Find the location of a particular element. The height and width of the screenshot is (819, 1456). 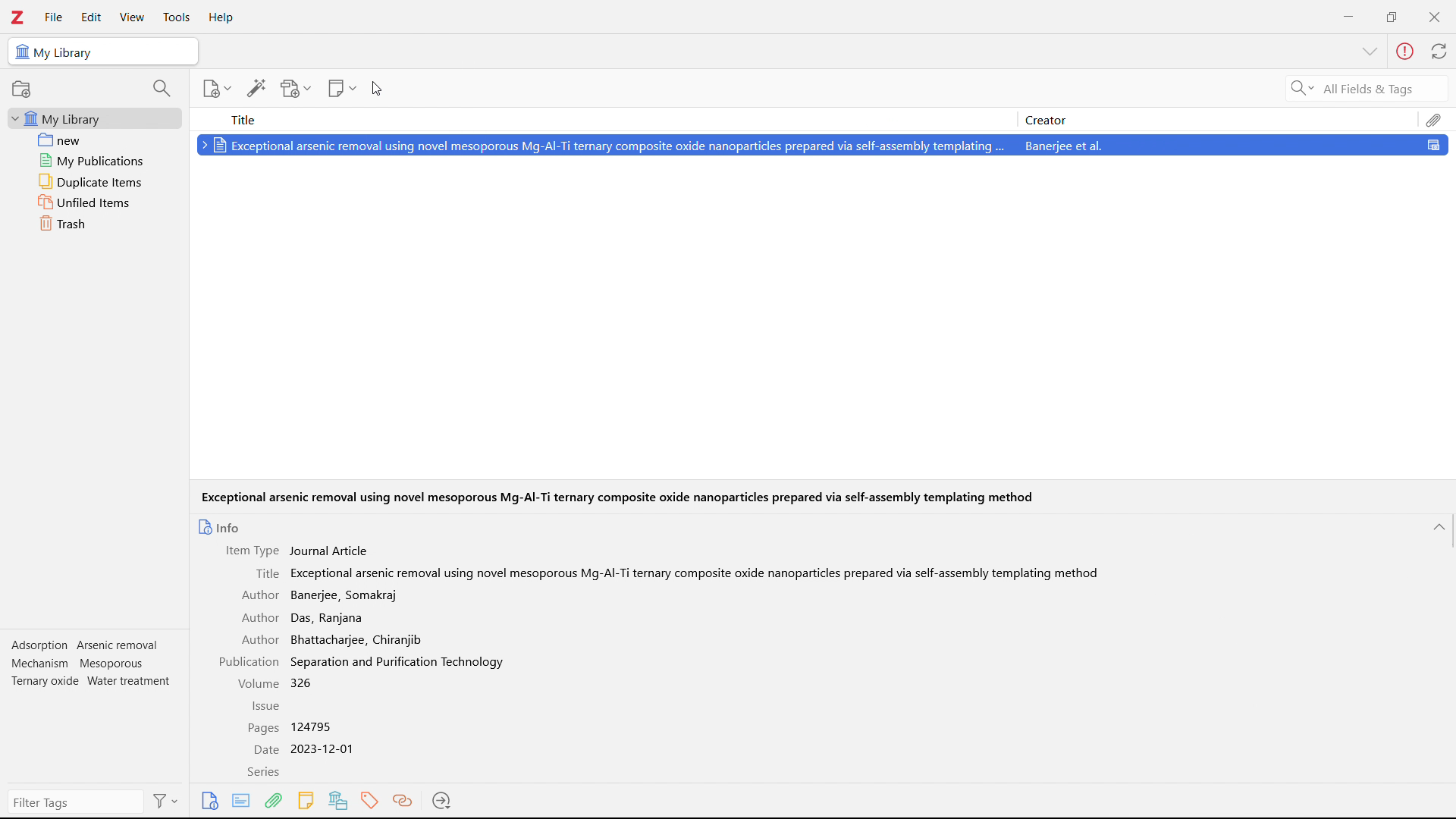

new is located at coordinates (94, 140).